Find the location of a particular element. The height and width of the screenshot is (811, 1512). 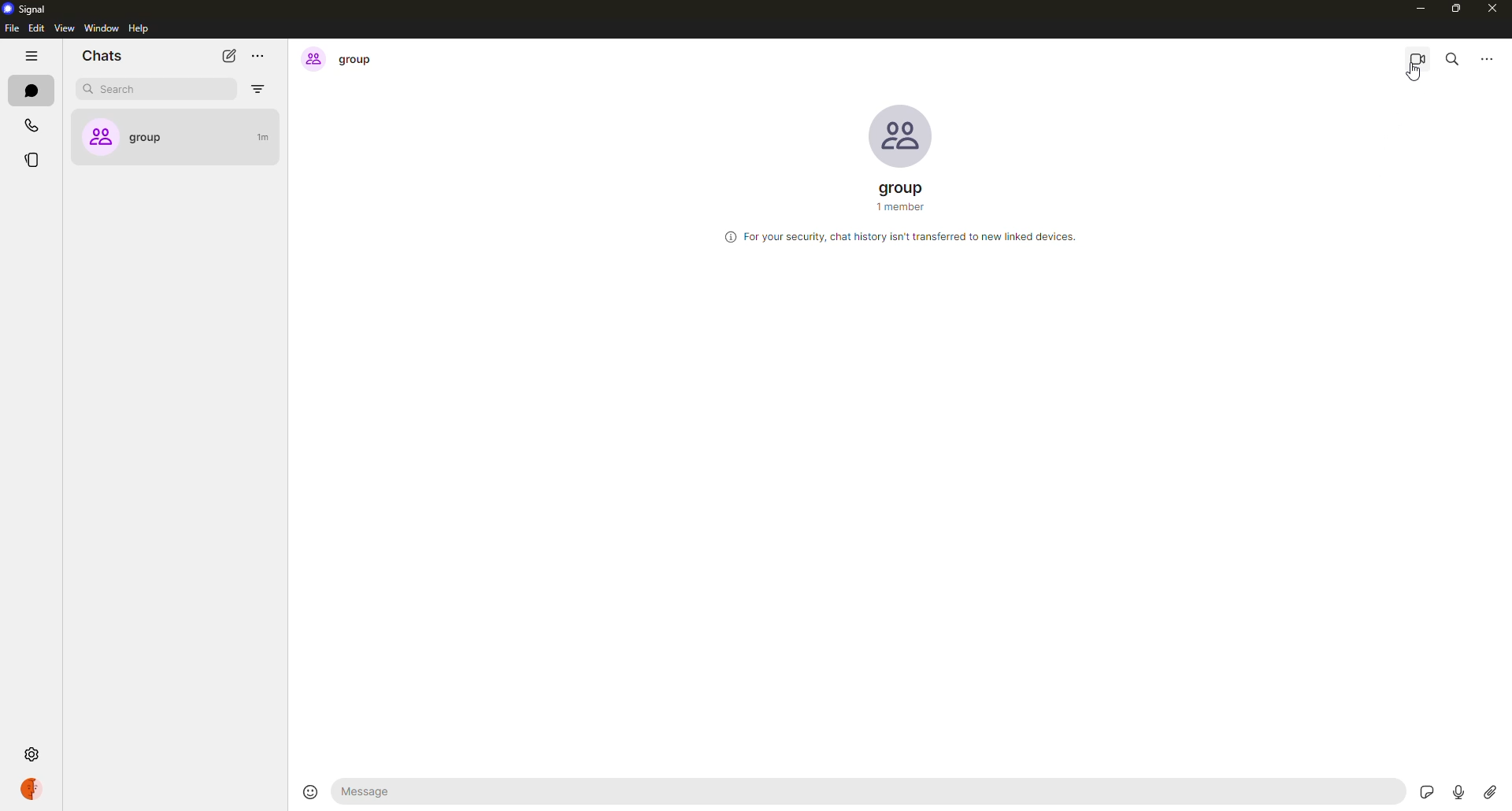

group is located at coordinates (904, 196).